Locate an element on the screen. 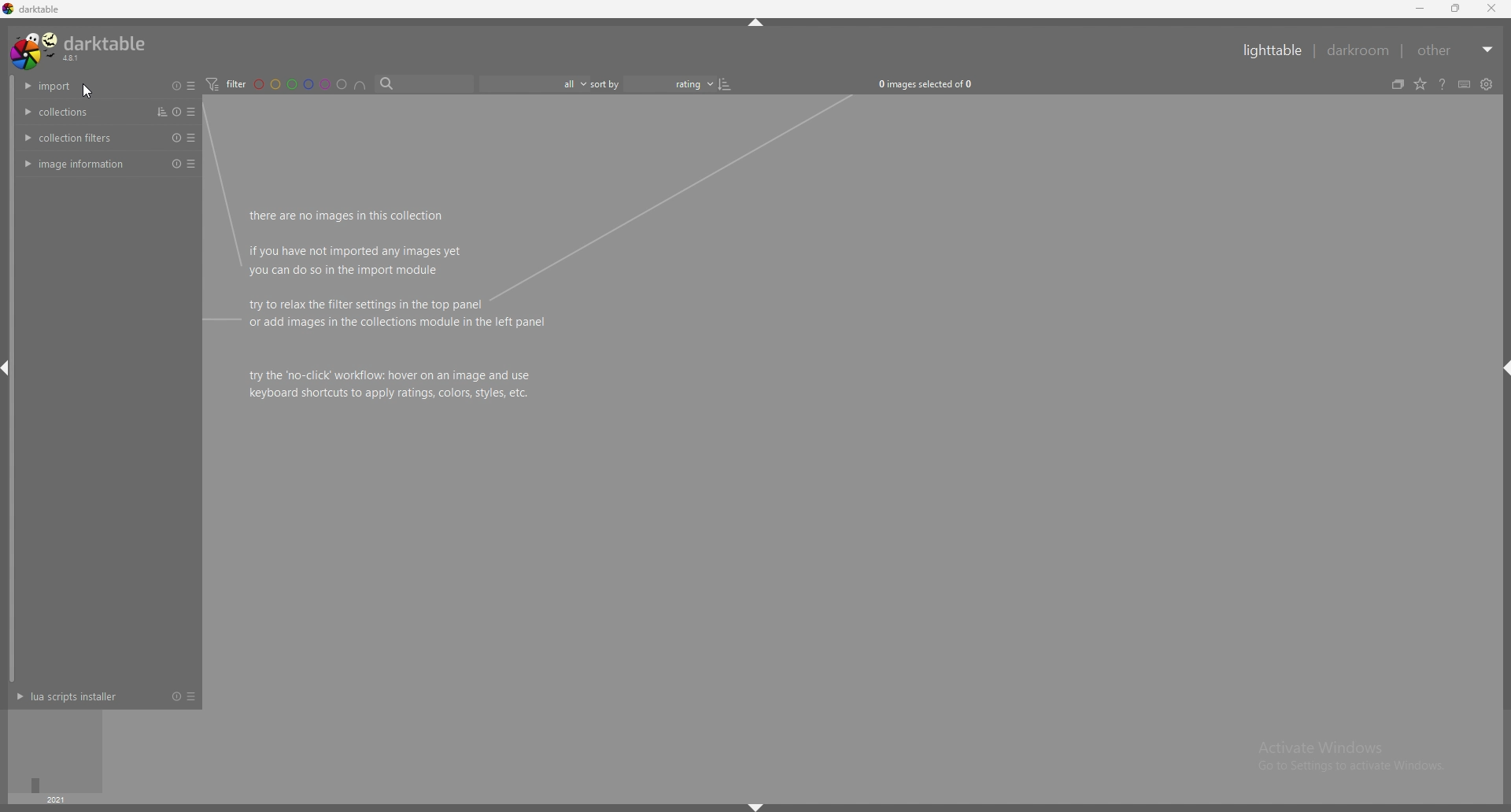 This screenshot has width=1511, height=812. collapse grouped images is located at coordinates (1398, 84).